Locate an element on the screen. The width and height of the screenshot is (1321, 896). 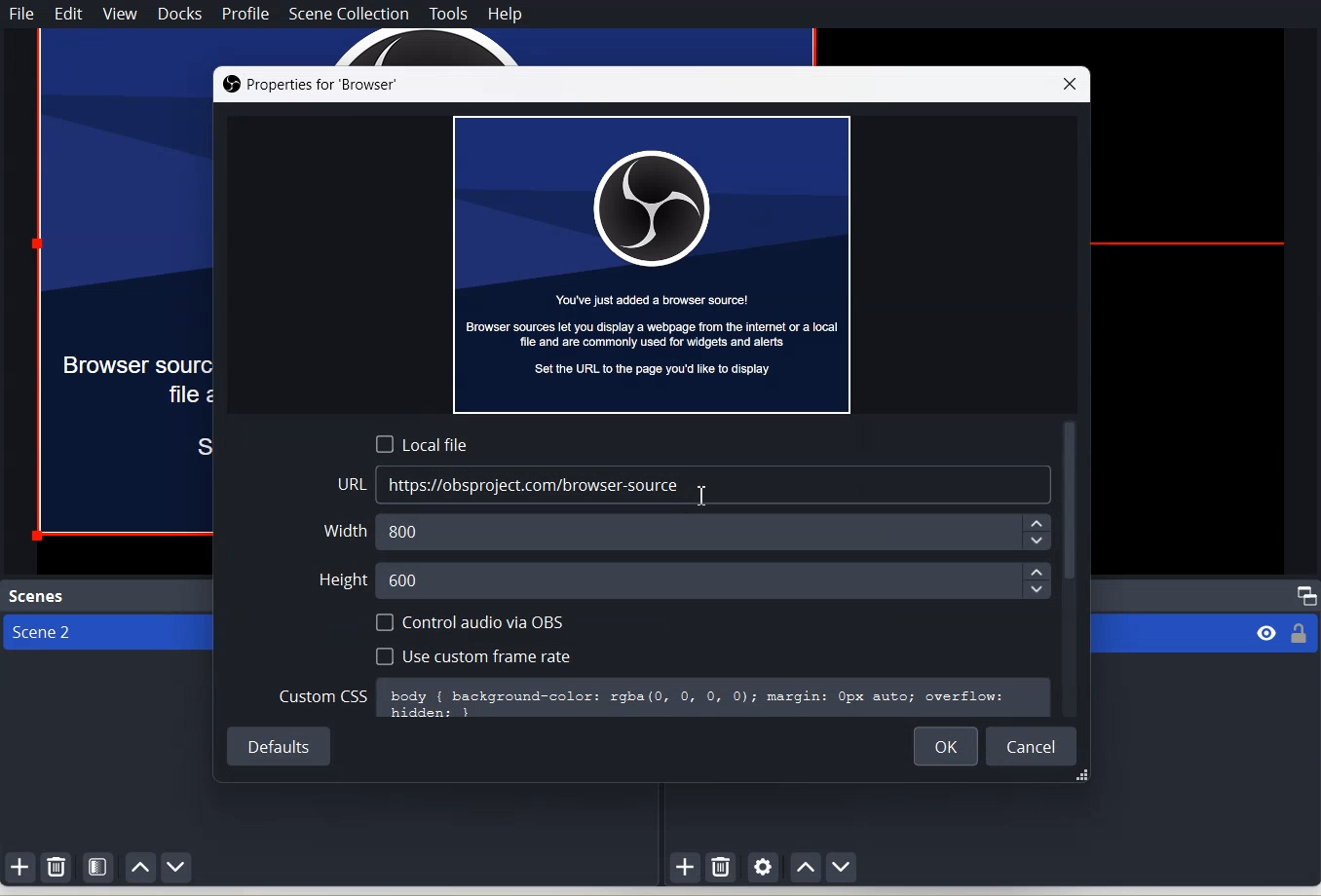
cursor is located at coordinates (708, 498).